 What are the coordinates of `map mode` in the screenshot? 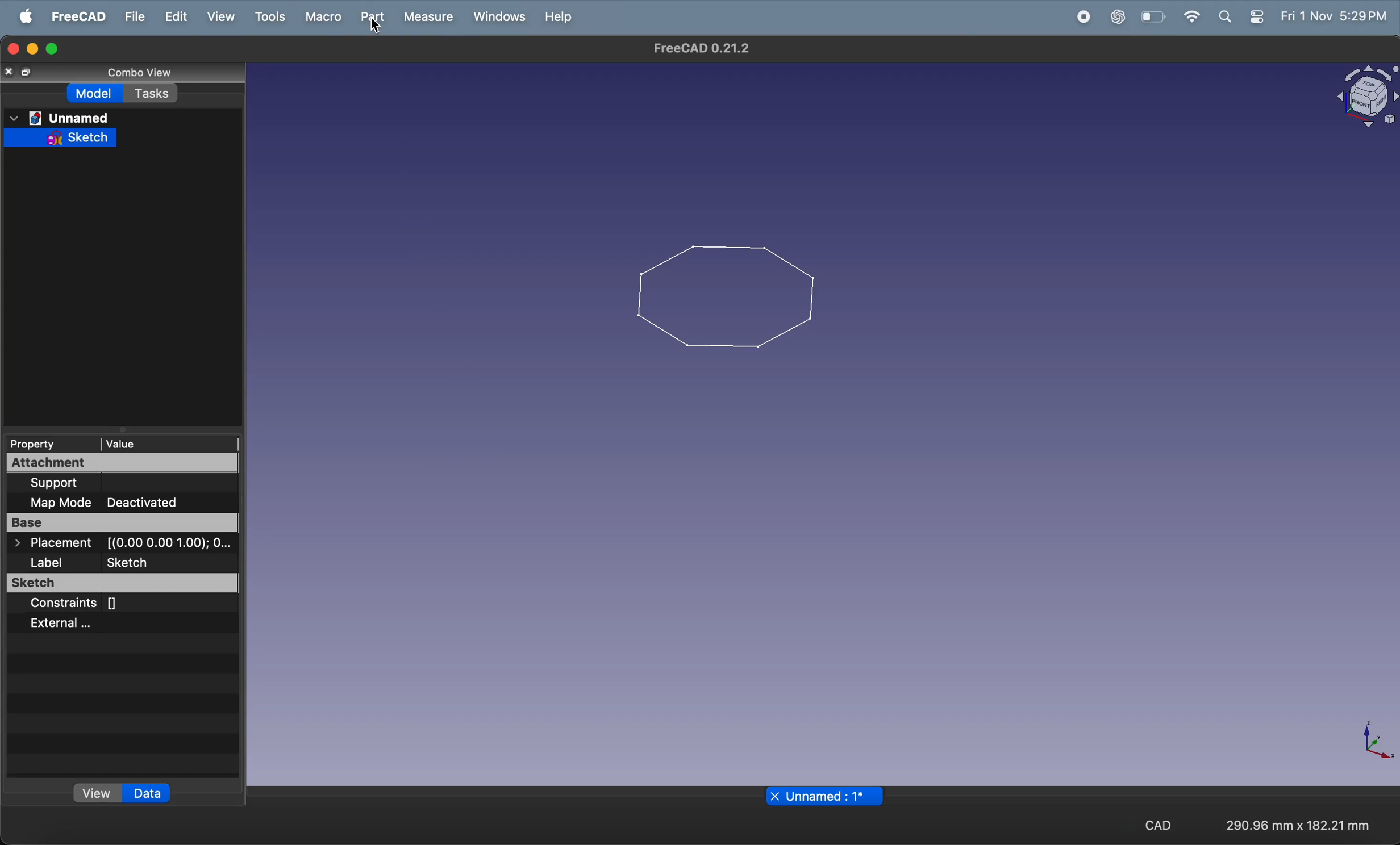 It's located at (60, 505).